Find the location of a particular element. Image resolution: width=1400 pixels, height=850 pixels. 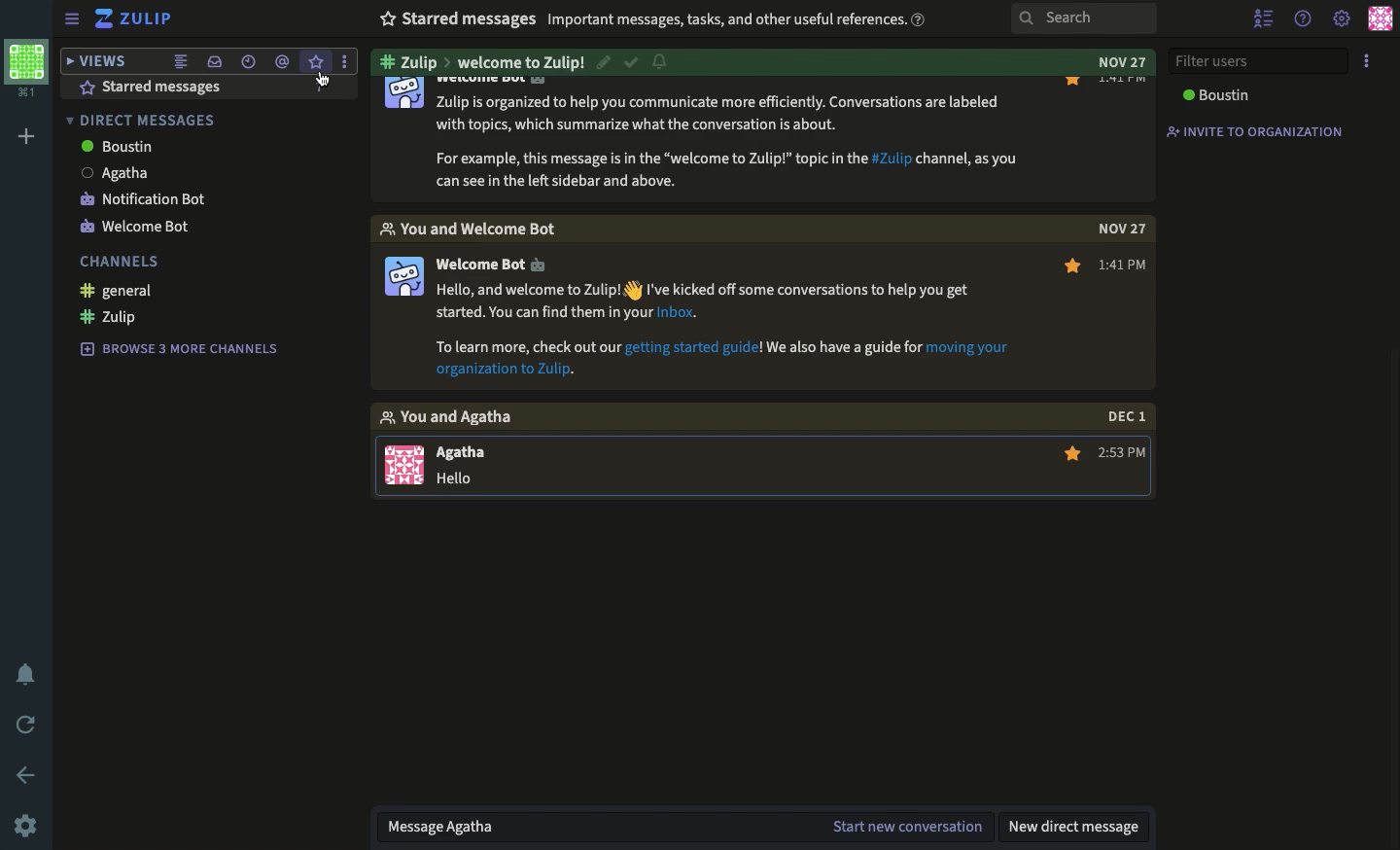

‘organization to Zulip. is located at coordinates (501, 372).